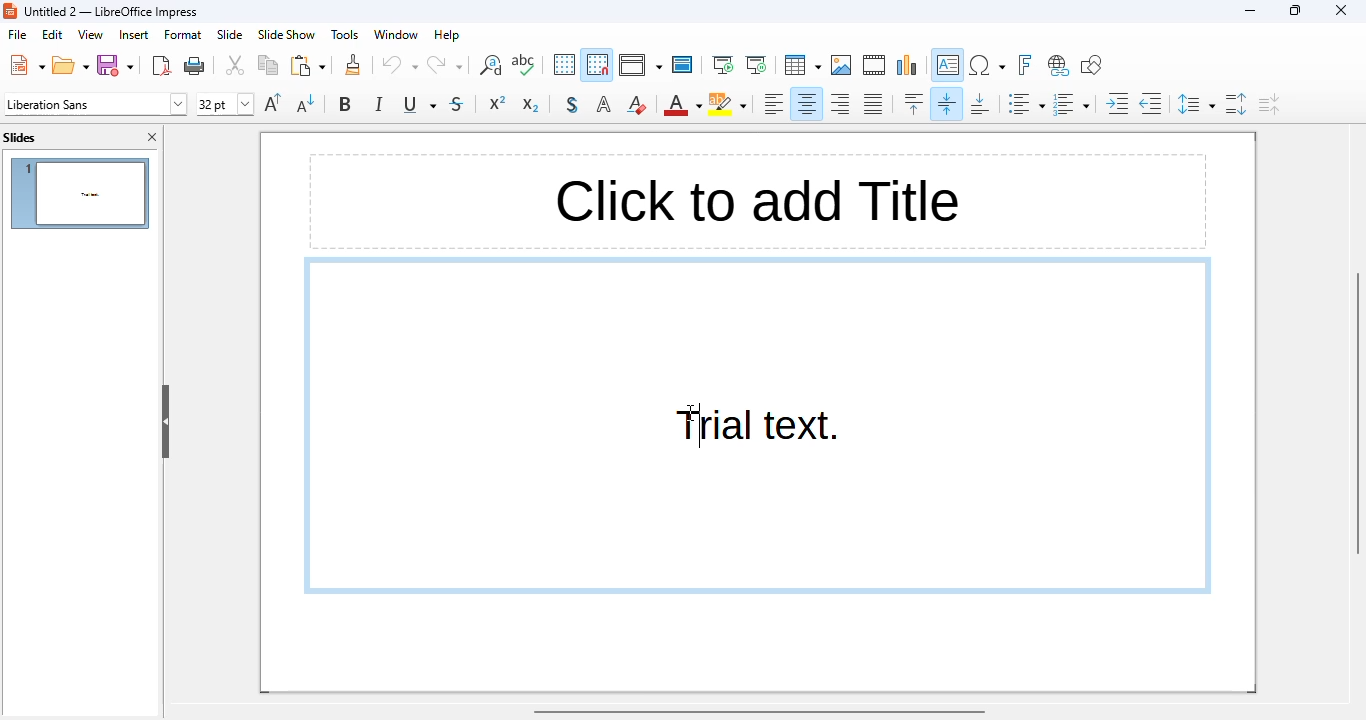 The image size is (1366, 720). What do you see at coordinates (306, 103) in the screenshot?
I see `decrease font size` at bounding box center [306, 103].